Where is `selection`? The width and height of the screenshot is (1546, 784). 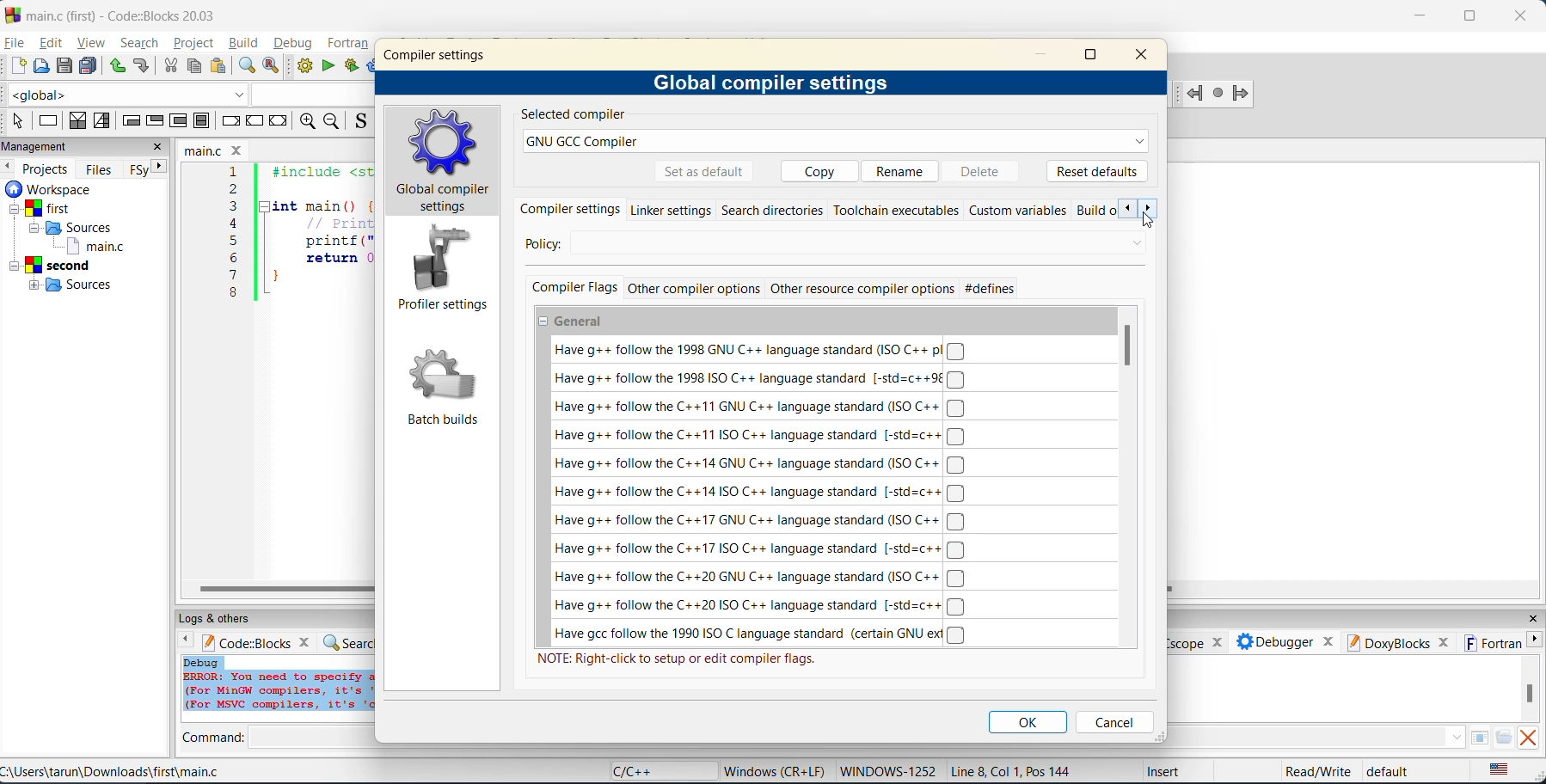 selection is located at coordinates (106, 122).